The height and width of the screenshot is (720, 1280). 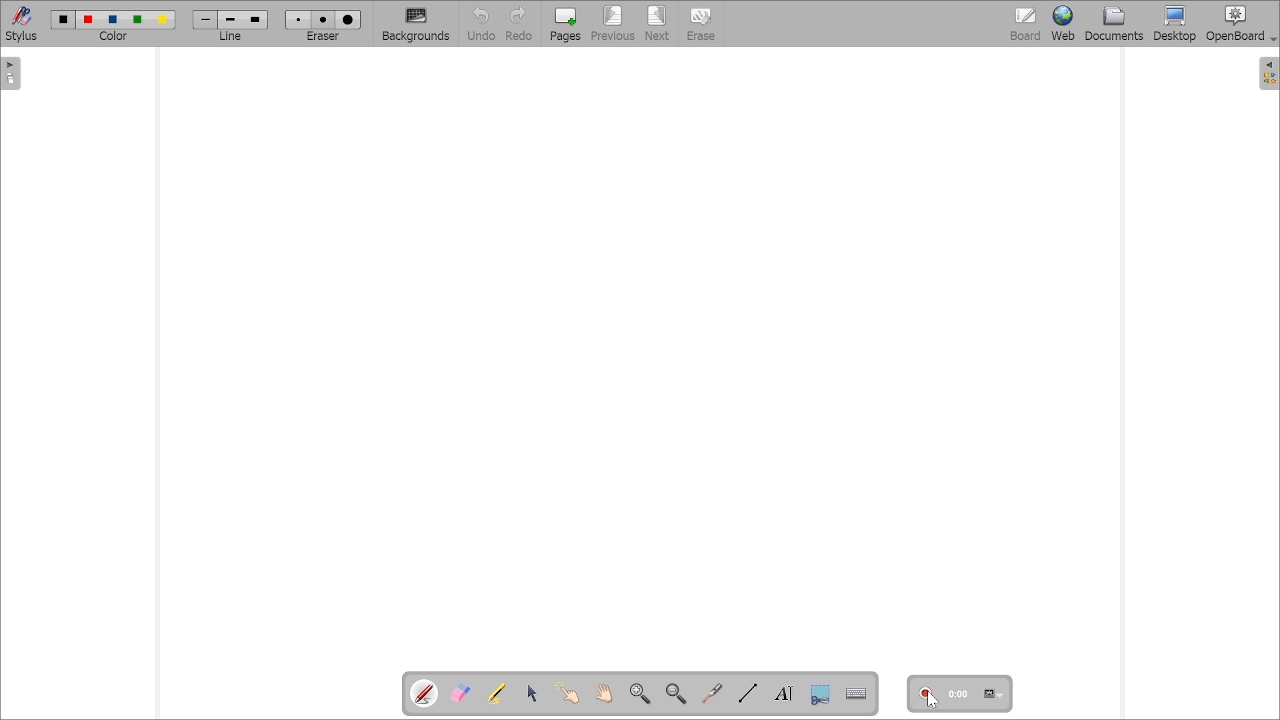 I want to click on Settings, so click(x=993, y=694).